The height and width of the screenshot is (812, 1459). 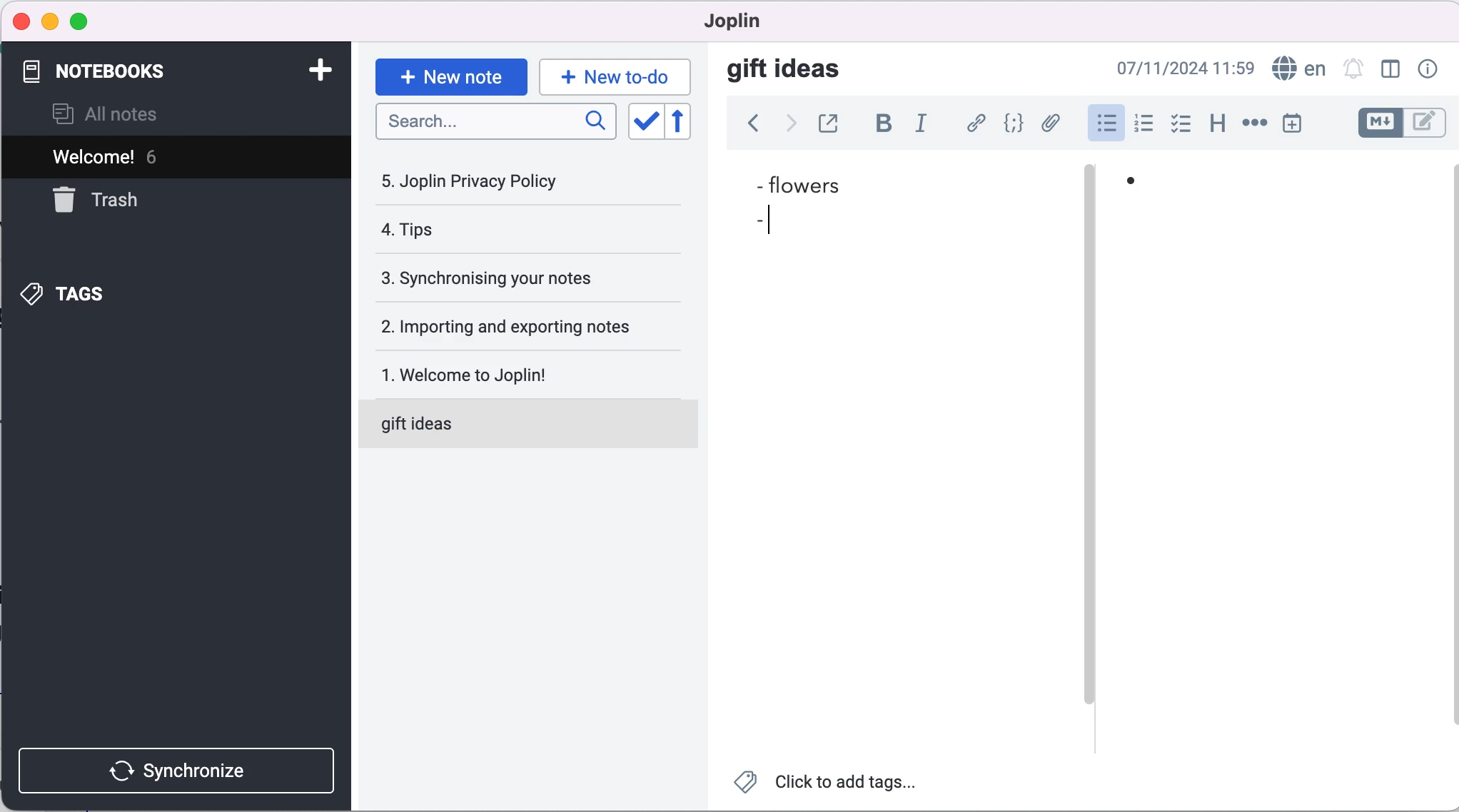 What do you see at coordinates (513, 425) in the screenshot?
I see `gift ideas note` at bounding box center [513, 425].